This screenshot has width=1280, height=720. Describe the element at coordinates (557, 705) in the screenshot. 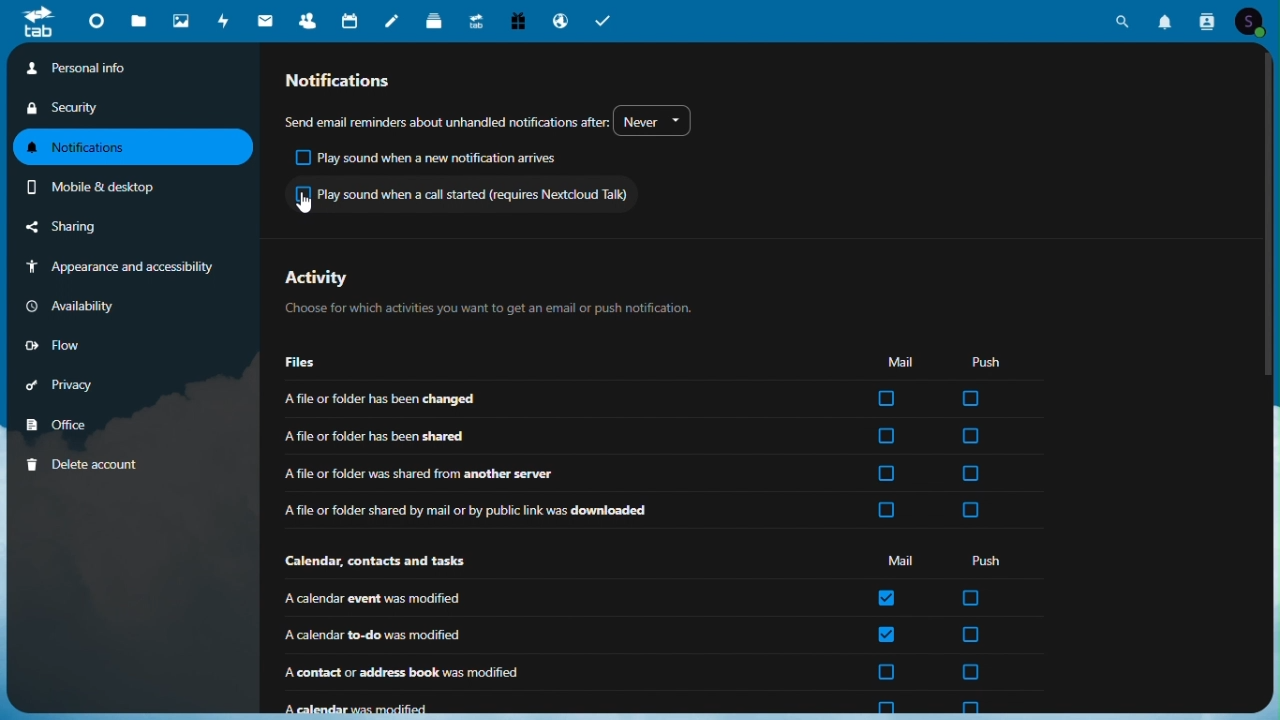

I see `Calendar was modified` at that location.